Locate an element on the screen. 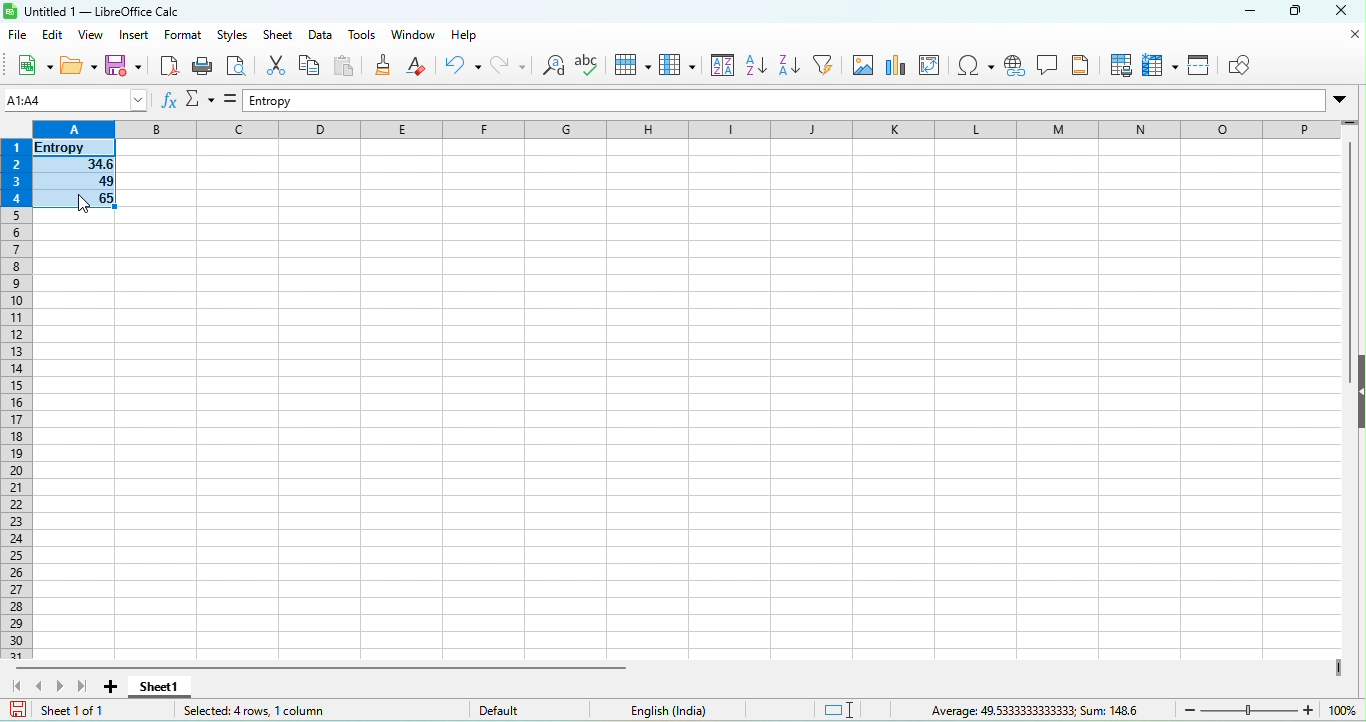 This screenshot has width=1366, height=722. sort descending is located at coordinates (794, 68).